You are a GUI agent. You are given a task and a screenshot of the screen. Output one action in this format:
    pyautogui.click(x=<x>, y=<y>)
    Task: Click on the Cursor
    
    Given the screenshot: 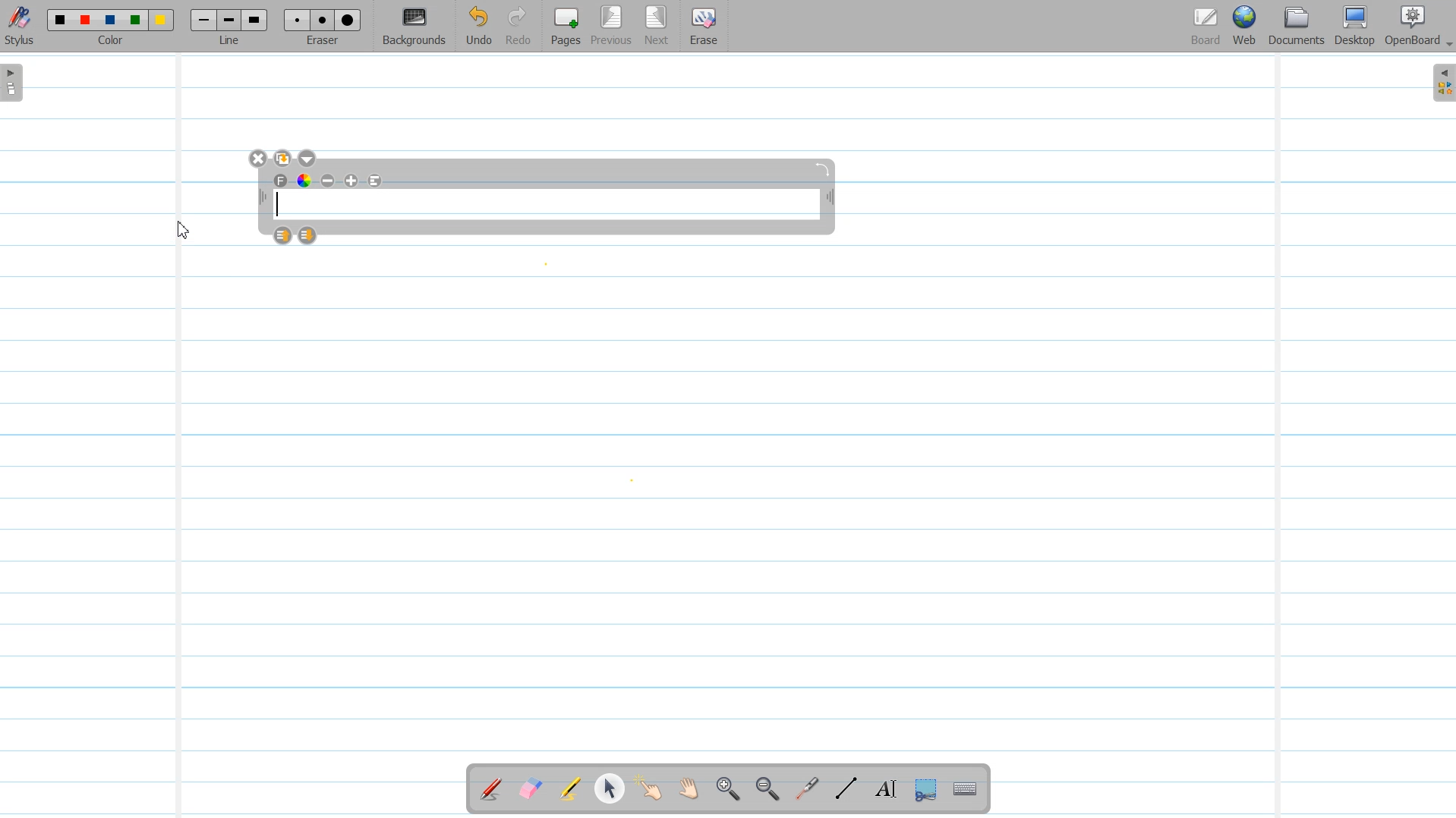 What is the action you would take?
    pyautogui.click(x=185, y=230)
    